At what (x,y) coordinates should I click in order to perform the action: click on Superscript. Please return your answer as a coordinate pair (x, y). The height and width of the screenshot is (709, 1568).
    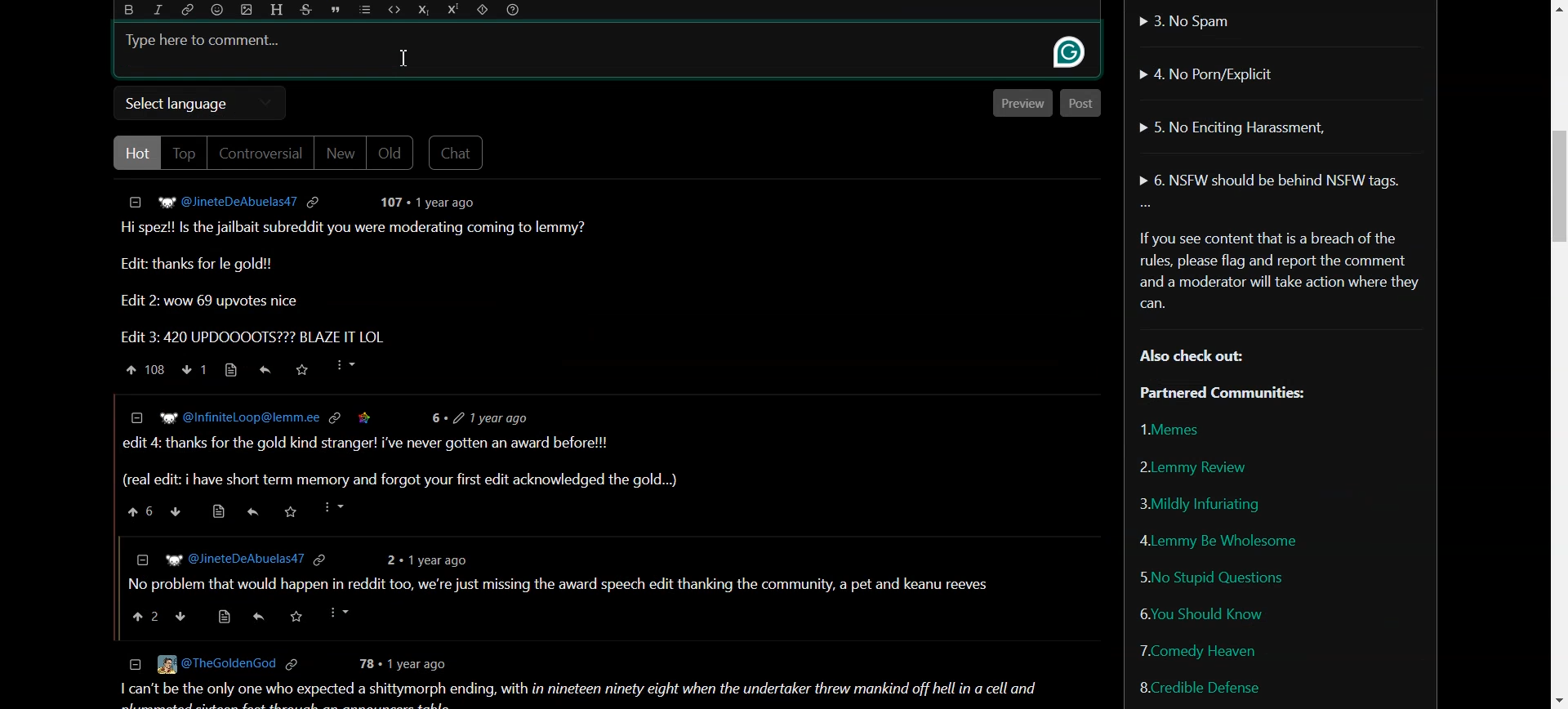
    Looking at the image, I should click on (452, 11).